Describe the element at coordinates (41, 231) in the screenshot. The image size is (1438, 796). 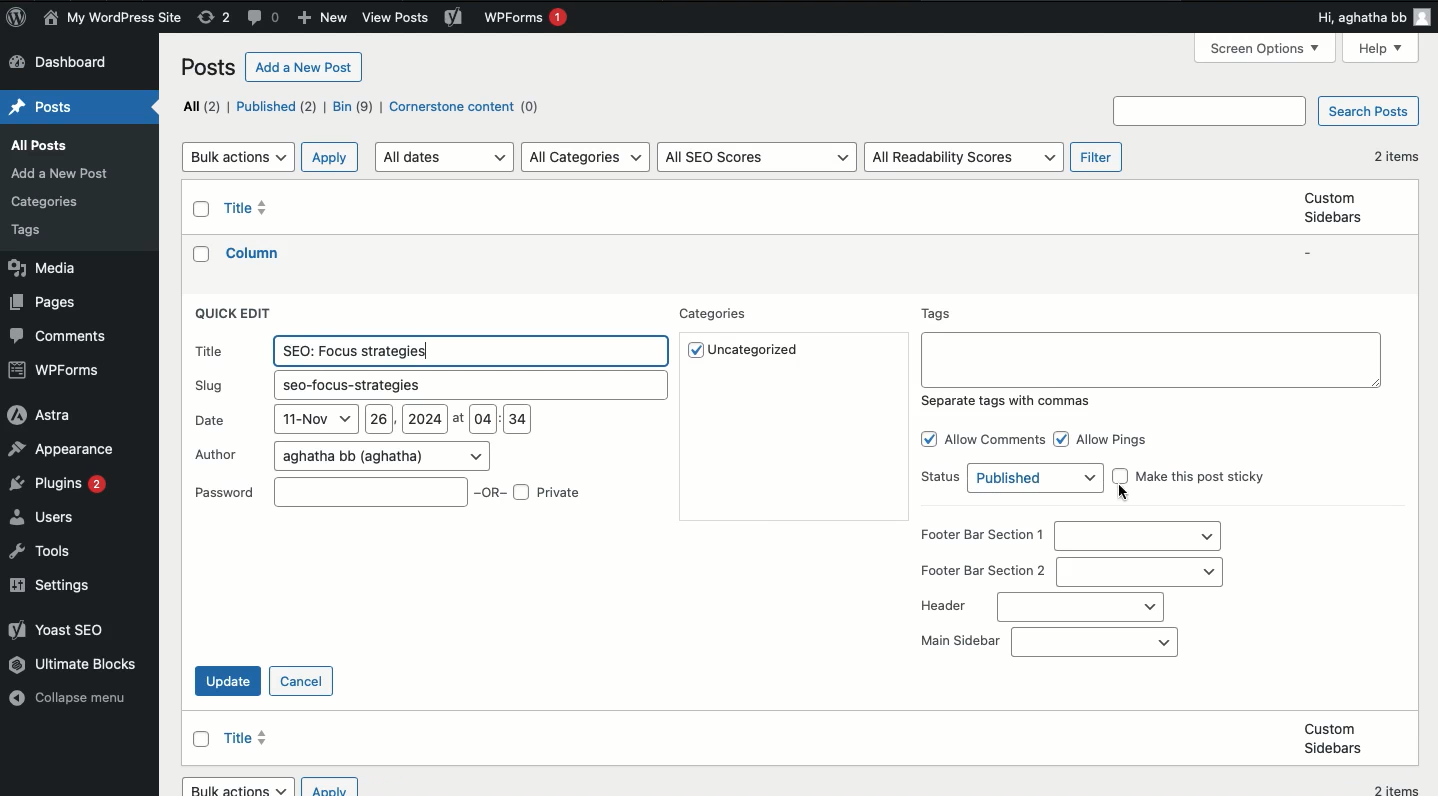
I see `Posts` at that location.